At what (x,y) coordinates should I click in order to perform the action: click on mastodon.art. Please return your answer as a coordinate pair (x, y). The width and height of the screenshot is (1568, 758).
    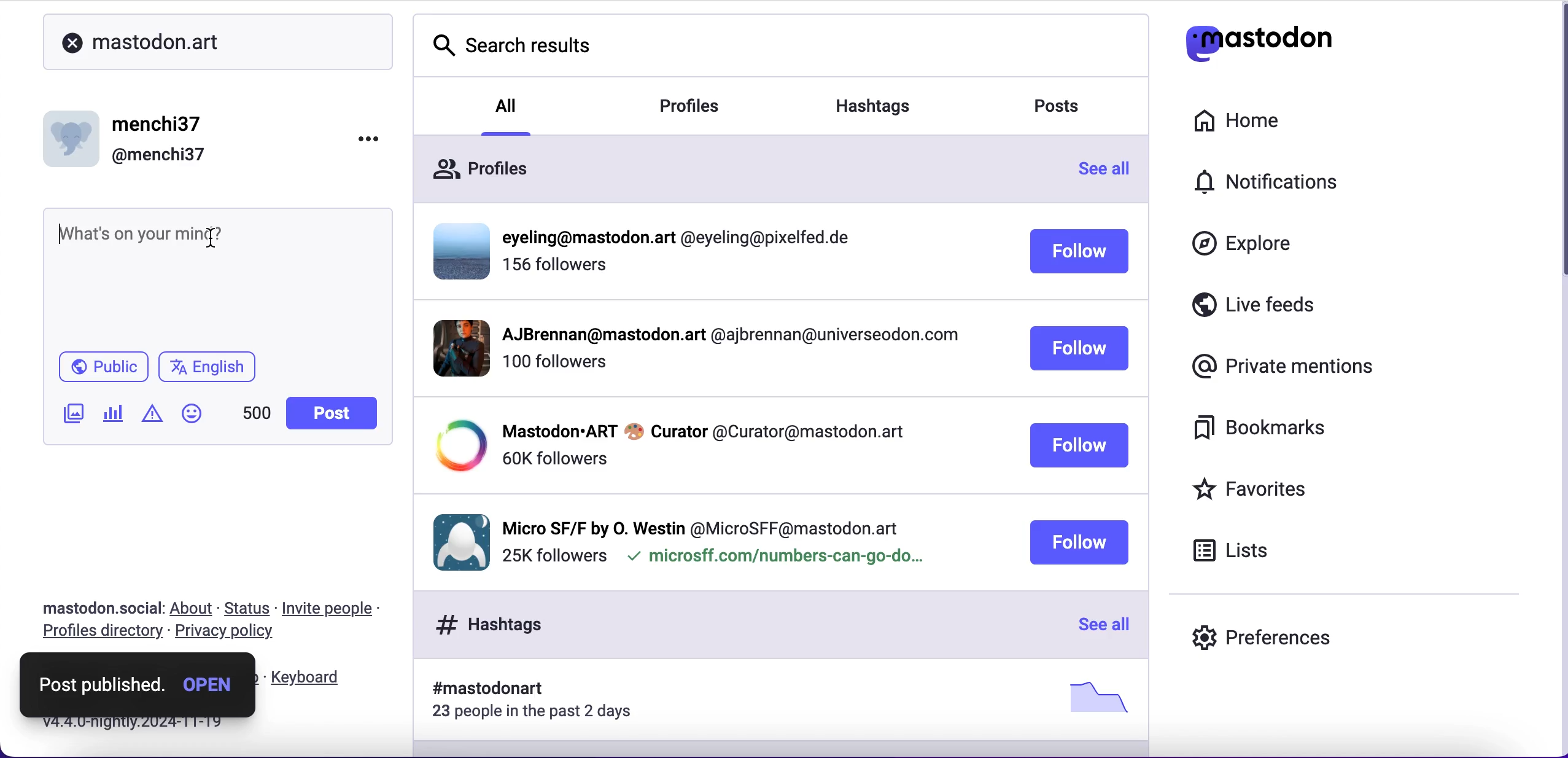
    Looking at the image, I should click on (156, 36).